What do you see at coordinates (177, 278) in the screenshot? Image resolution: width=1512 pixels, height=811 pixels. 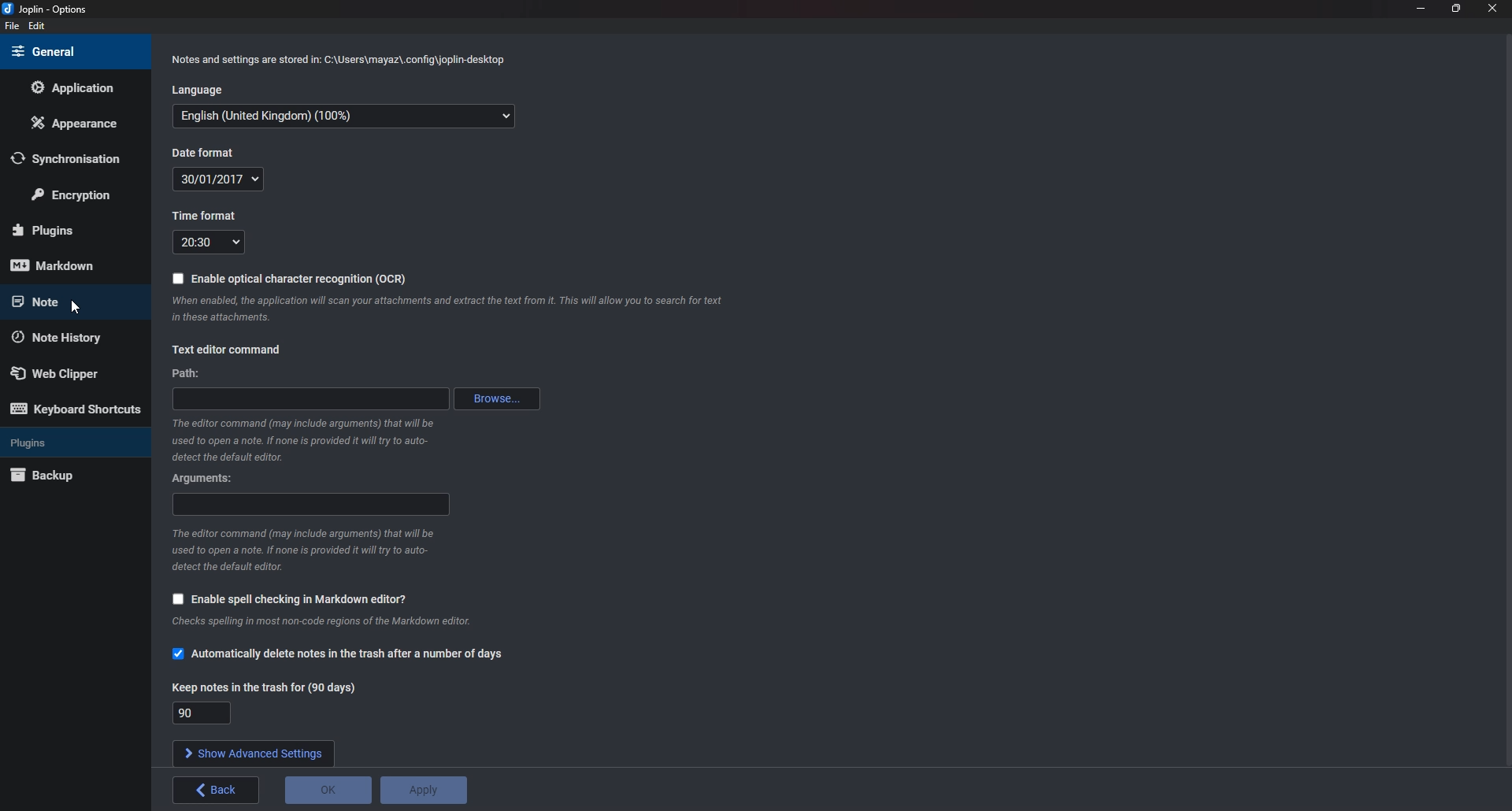 I see `checkbox` at bounding box center [177, 278].